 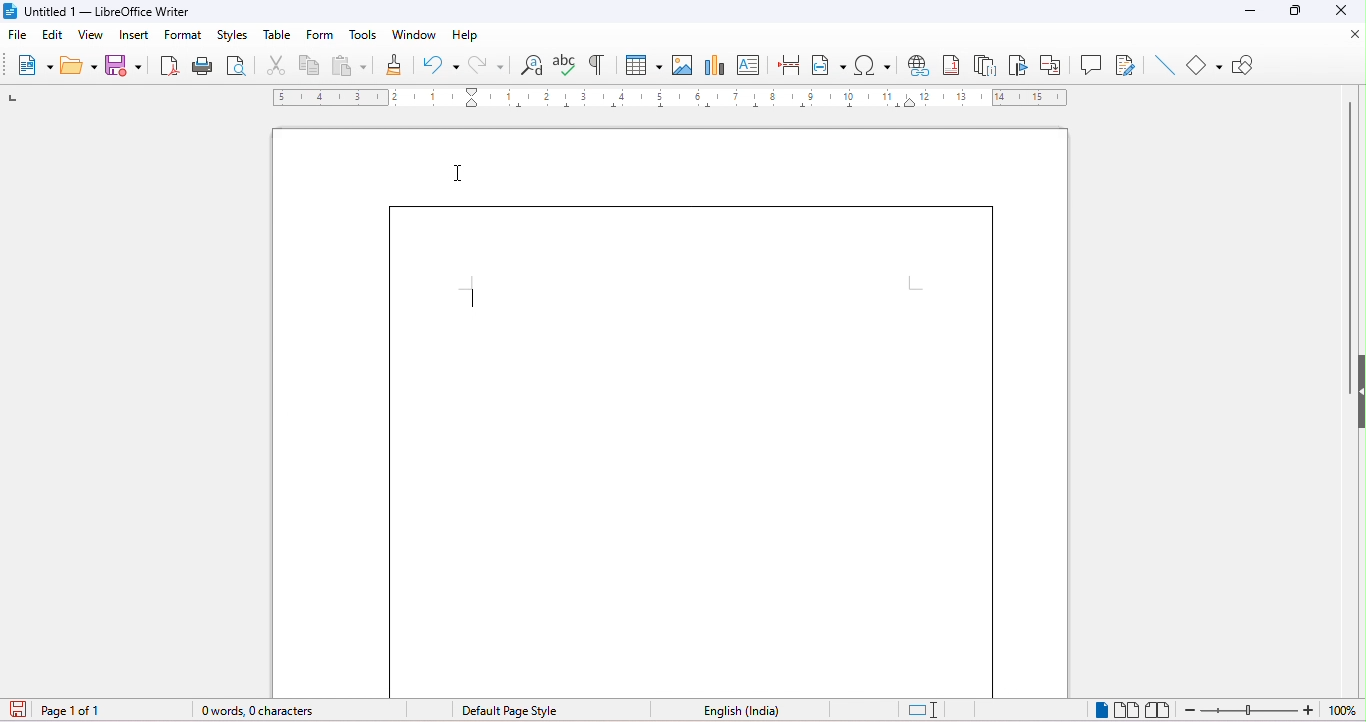 What do you see at coordinates (1357, 385) in the screenshot?
I see `height` at bounding box center [1357, 385].